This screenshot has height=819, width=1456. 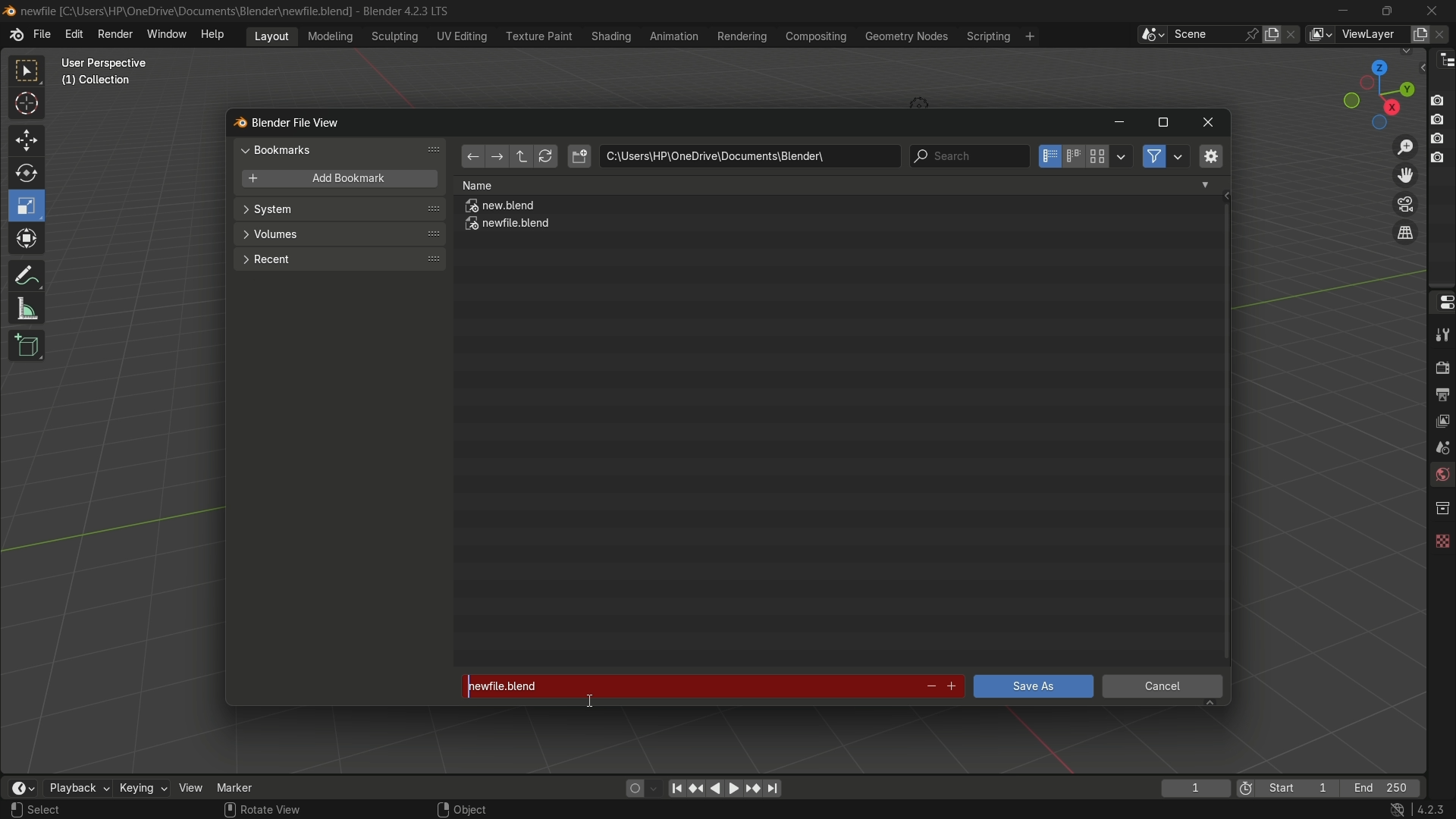 What do you see at coordinates (1288, 788) in the screenshot?
I see `first frame of the playback` at bounding box center [1288, 788].